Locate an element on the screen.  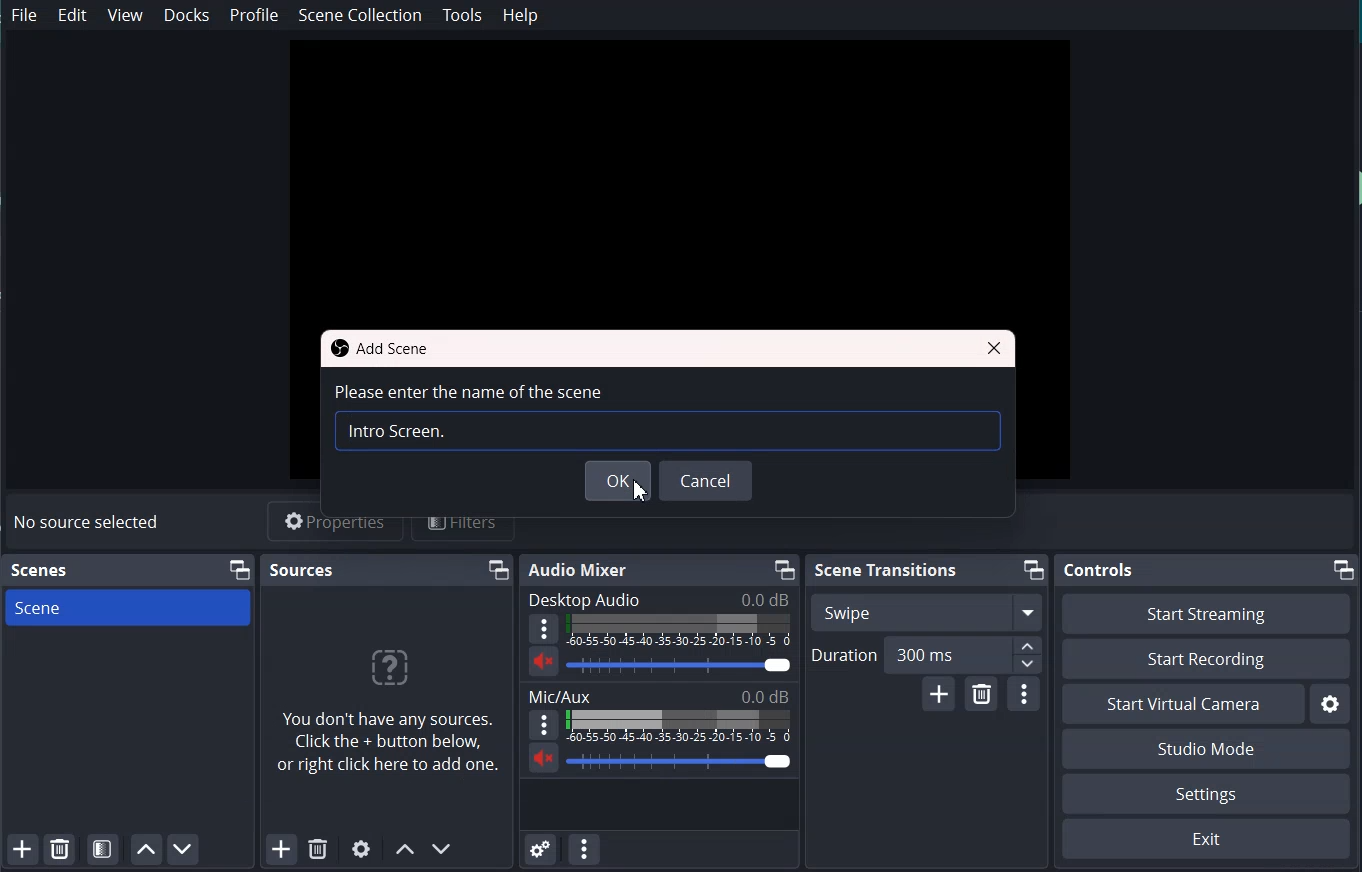
Duration is located at coordinates (926, 655).